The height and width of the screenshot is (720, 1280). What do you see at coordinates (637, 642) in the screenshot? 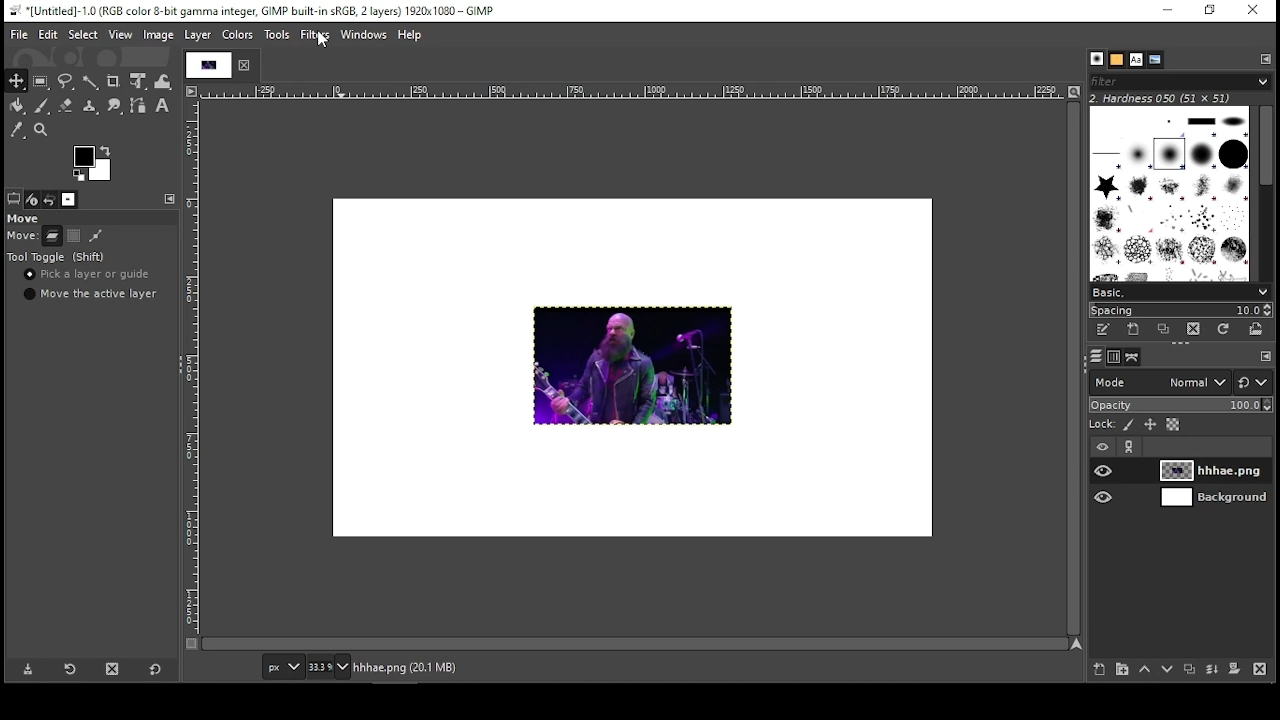
I see `scroll bar` at bounding box center [637, 642].